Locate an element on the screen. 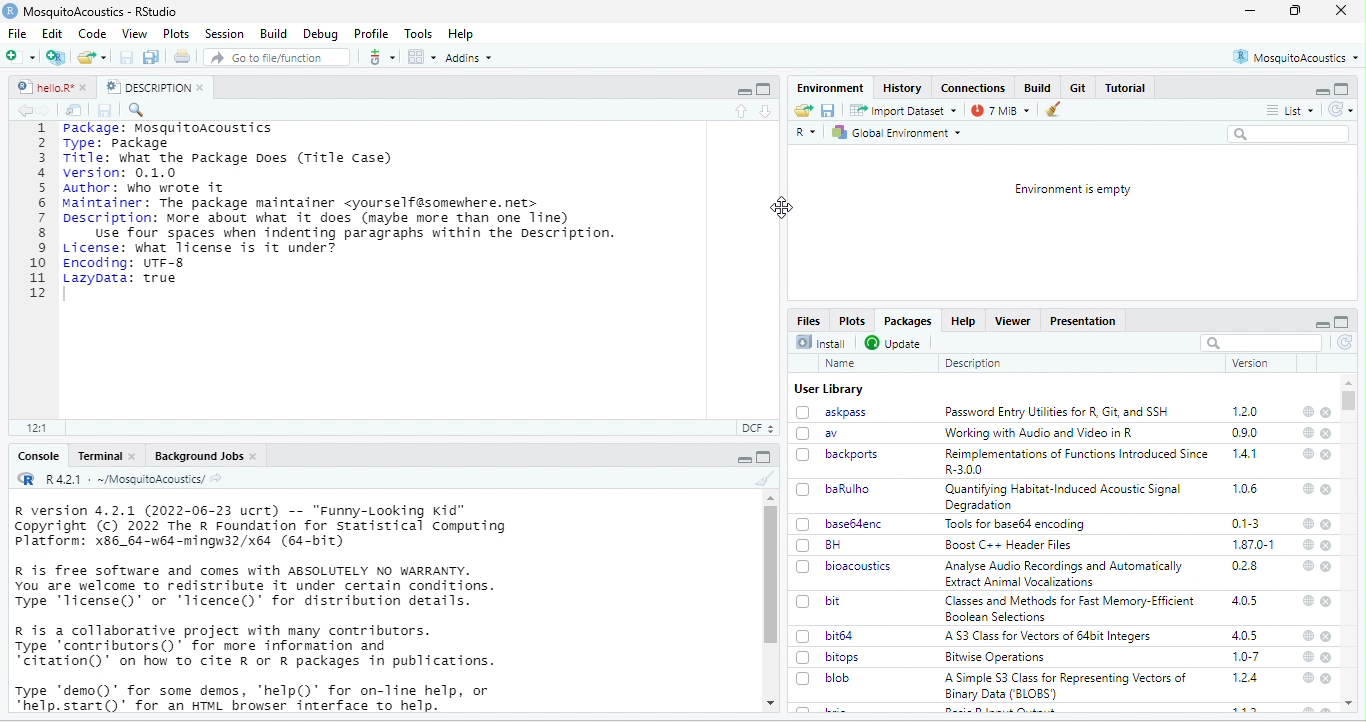  Session is located at coordinates (224, 34).